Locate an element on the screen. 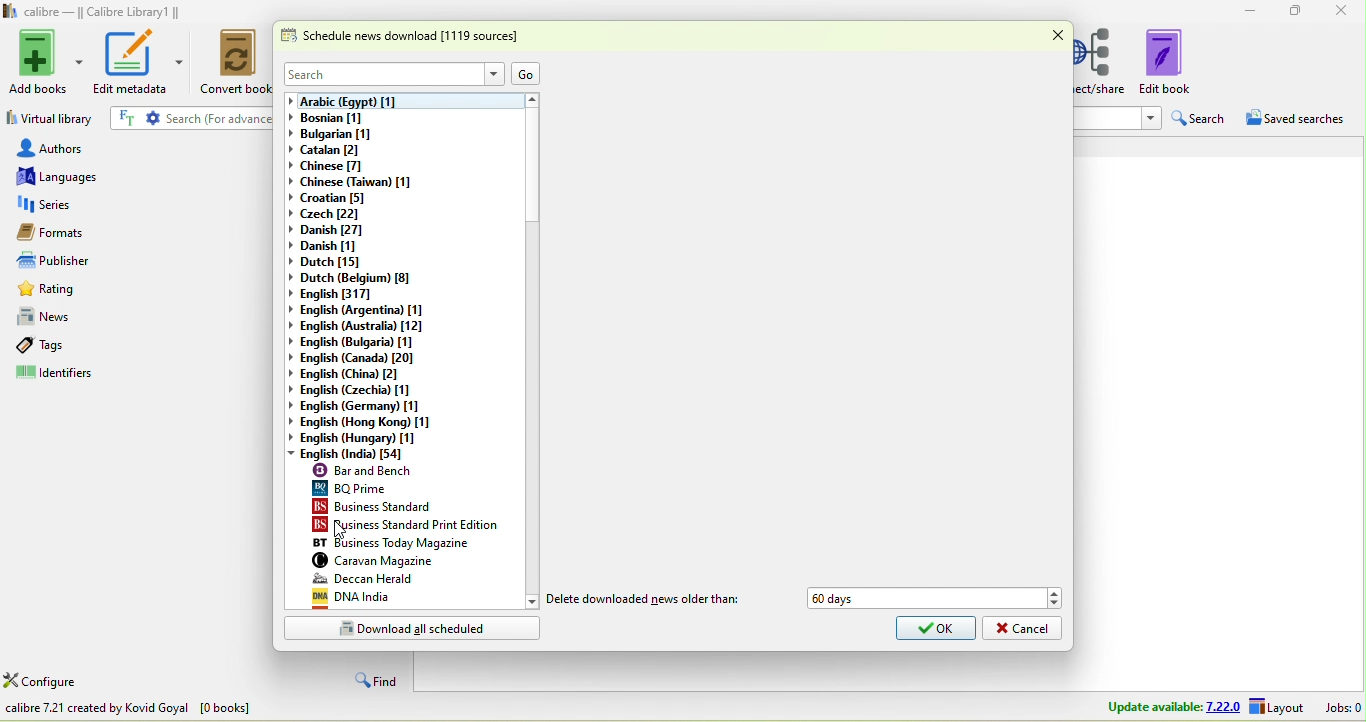 This screenshot has width=1366, height=722. dna india is located at coordinates (408, 599).